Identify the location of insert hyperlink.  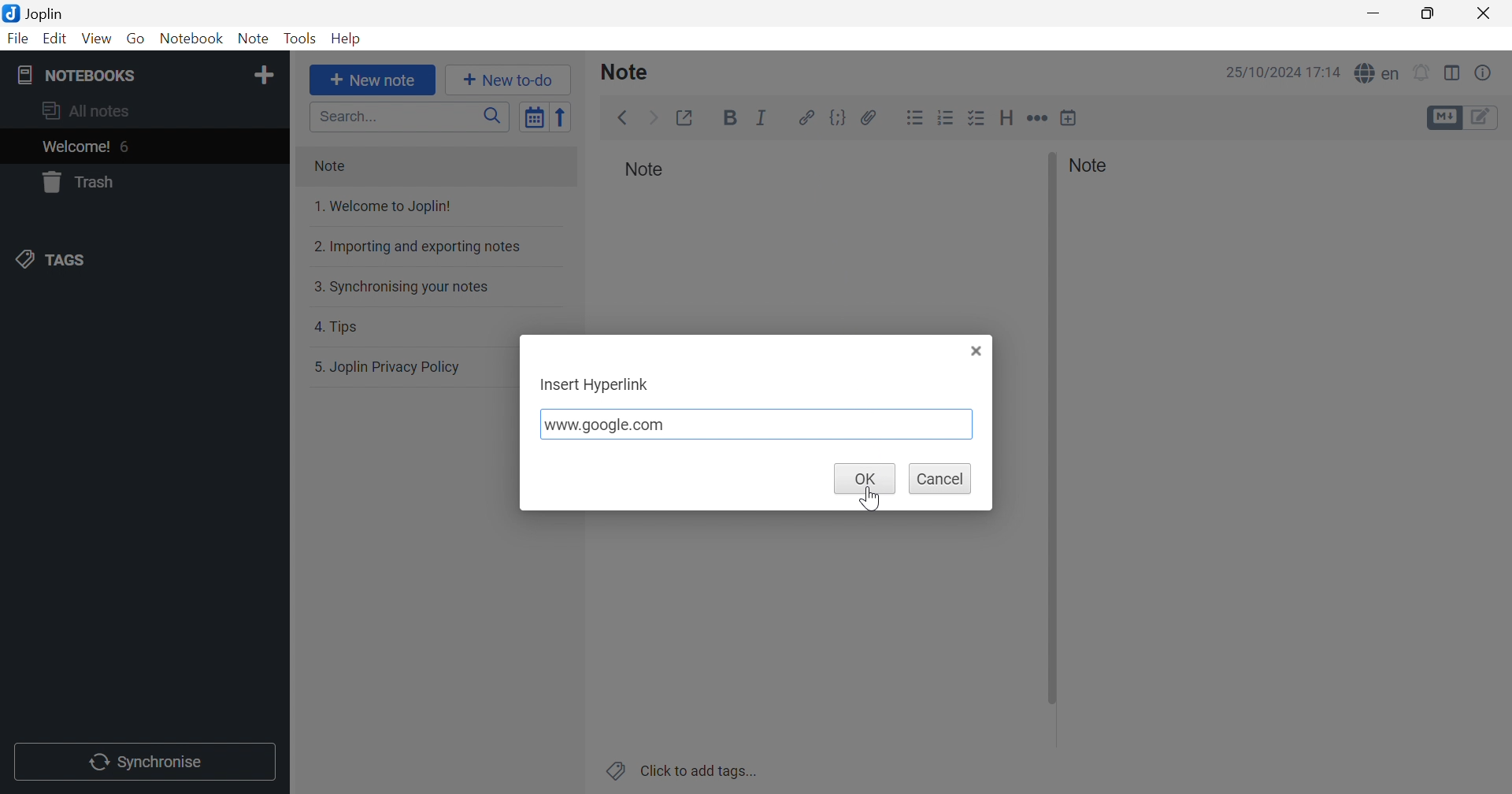
(595, 386).